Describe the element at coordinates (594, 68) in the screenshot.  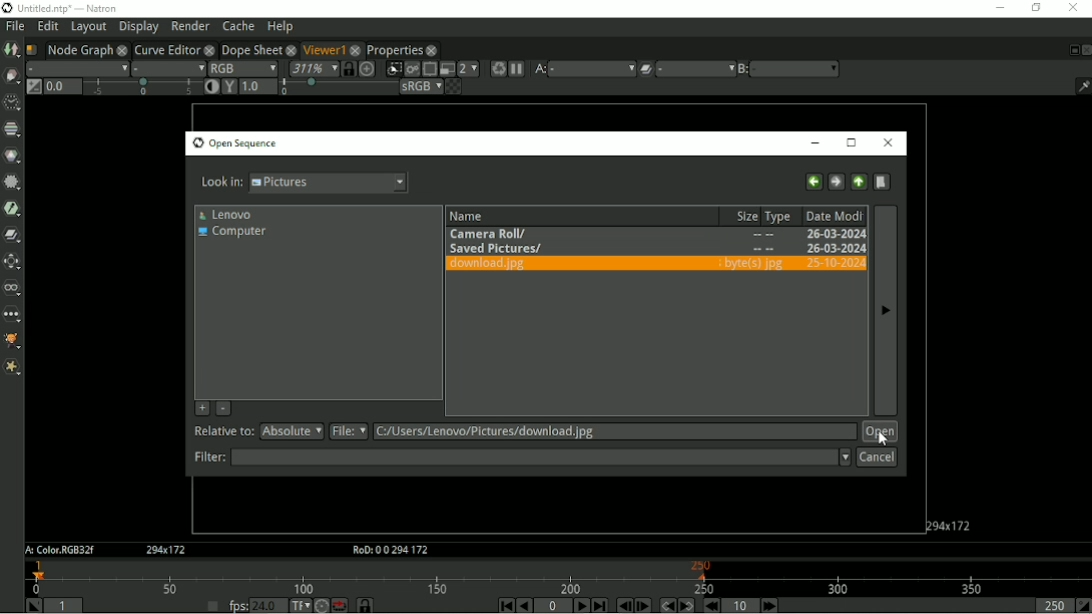
I see `a menu` at that location.